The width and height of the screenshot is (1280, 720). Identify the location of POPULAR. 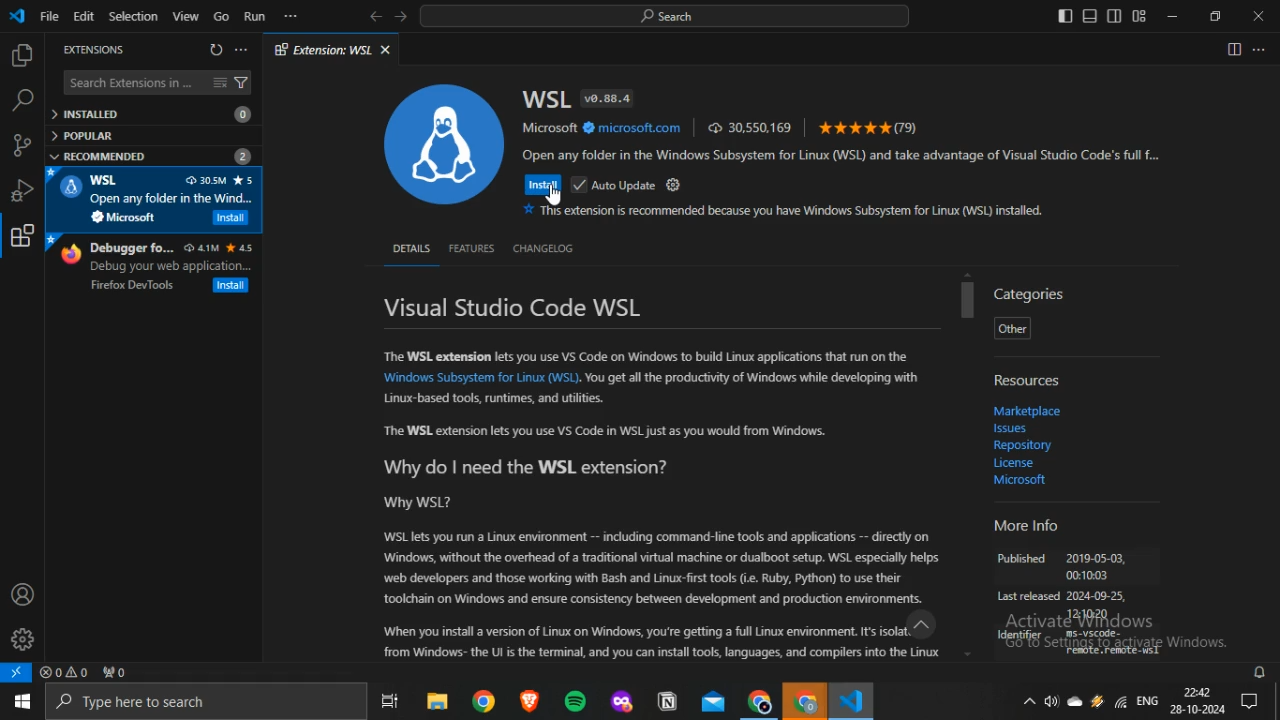
(88, 135).